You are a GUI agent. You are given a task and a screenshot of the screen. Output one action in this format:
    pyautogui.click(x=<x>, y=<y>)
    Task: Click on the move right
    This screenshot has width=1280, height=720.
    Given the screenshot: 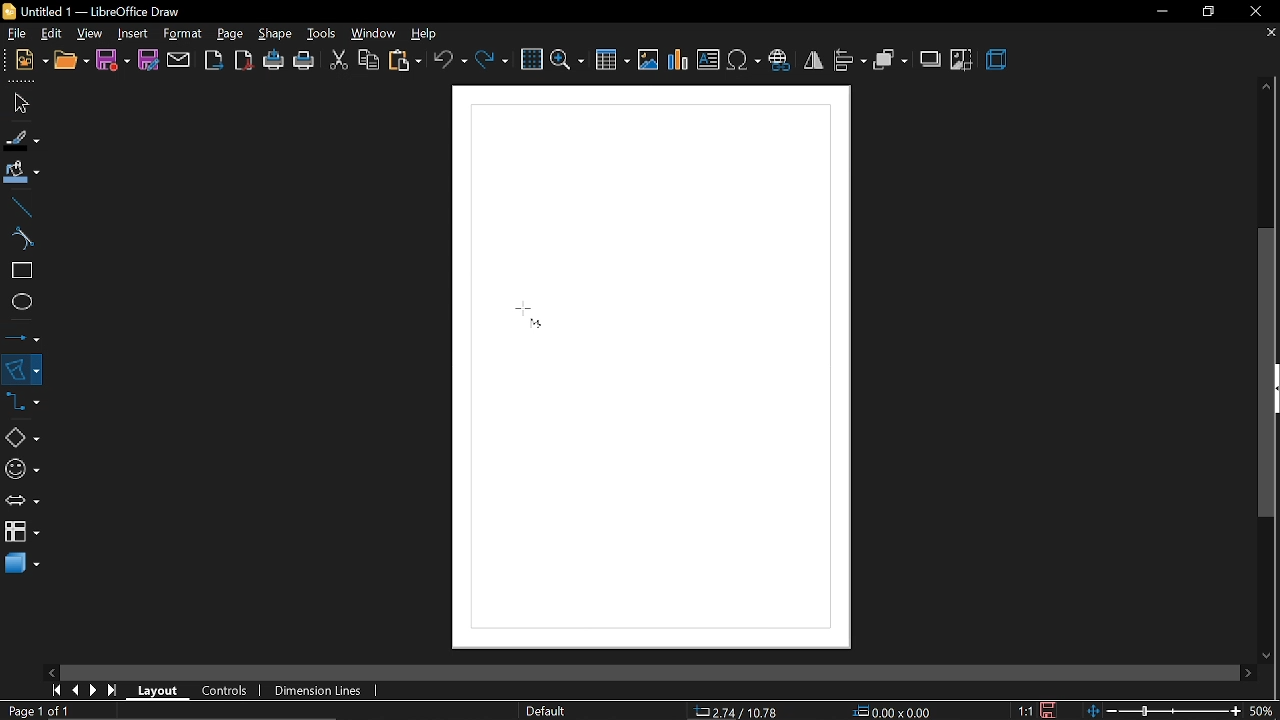 What is the action you would take?
    pyautogui.click(x=1245, y=670)
    